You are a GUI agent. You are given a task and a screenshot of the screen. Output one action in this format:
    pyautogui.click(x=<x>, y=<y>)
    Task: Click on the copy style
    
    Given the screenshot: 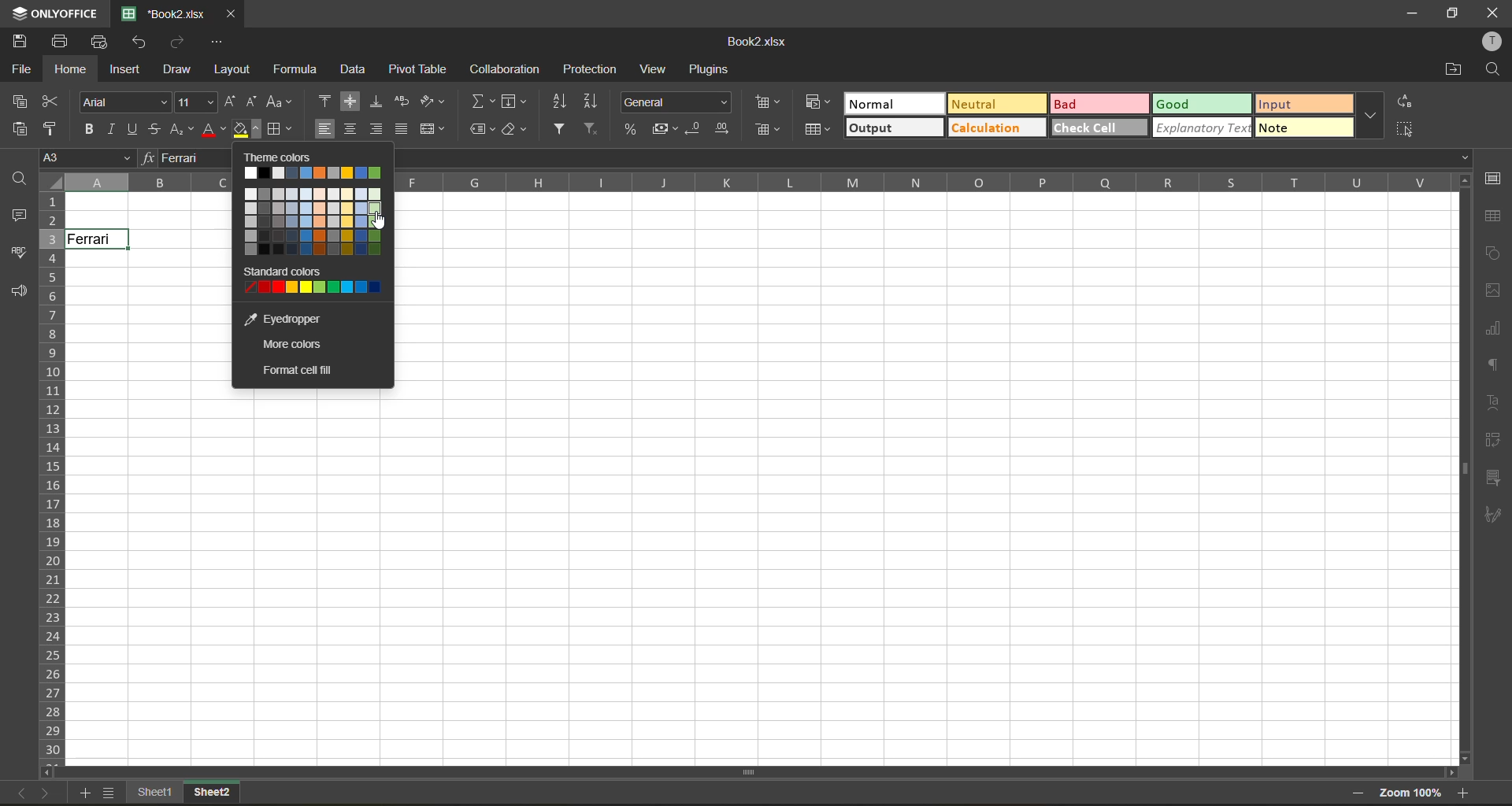 What is the action you would take?
    pyautogui.click(x=54, y=130)
    